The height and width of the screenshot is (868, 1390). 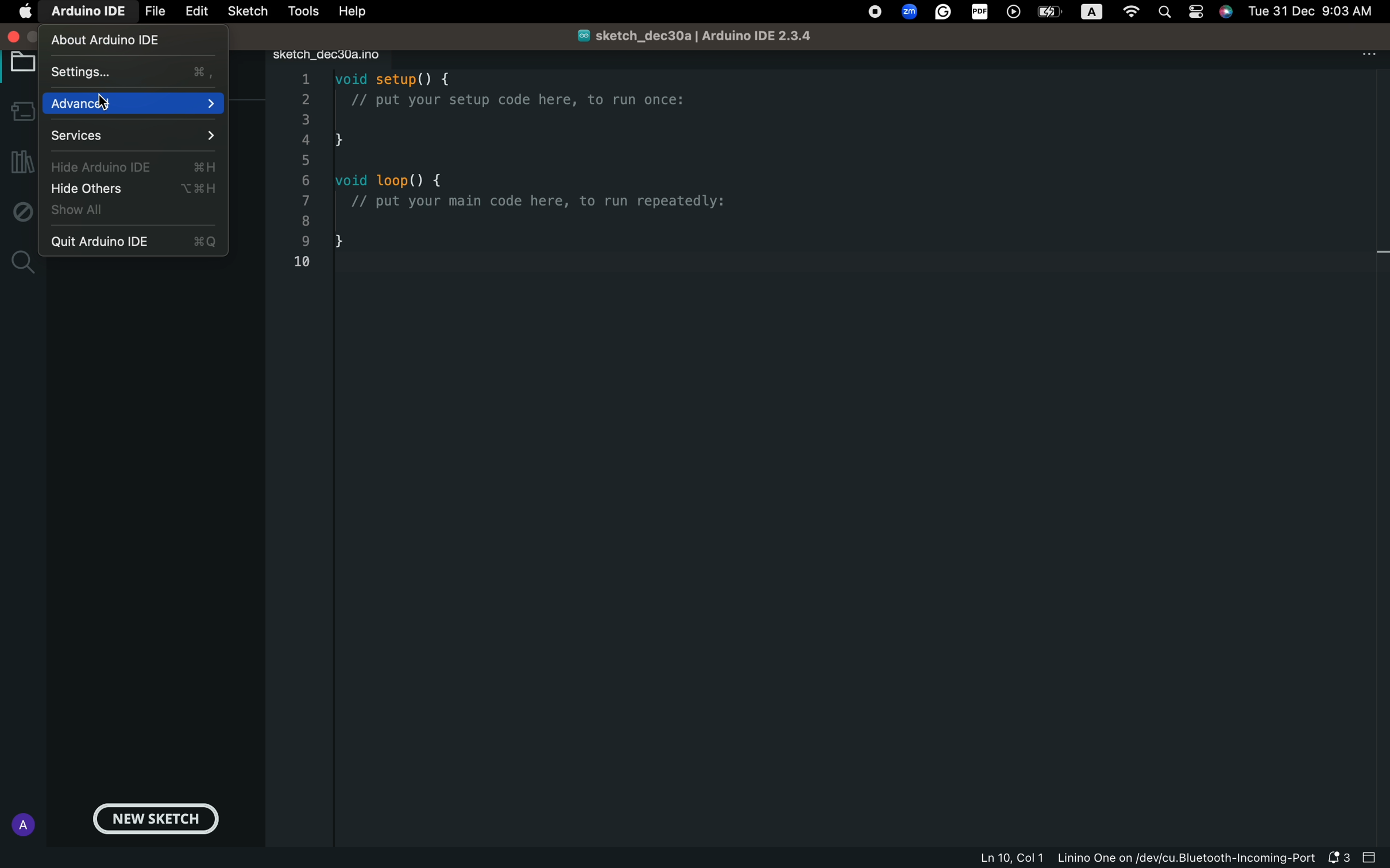 I want to click on new sketch, so click(x=159, y=820).